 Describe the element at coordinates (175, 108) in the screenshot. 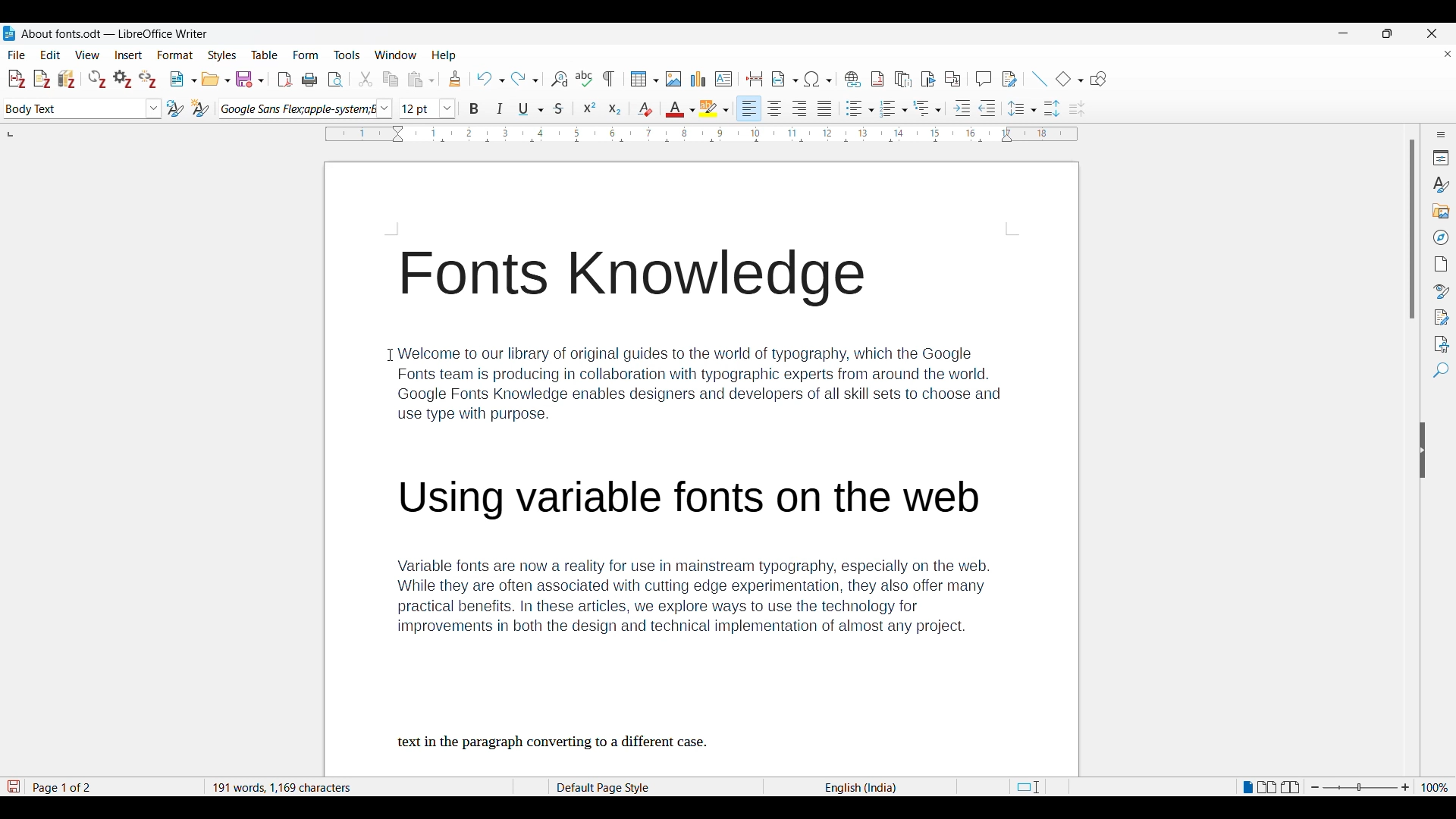

I see `Update selected style` at that location.